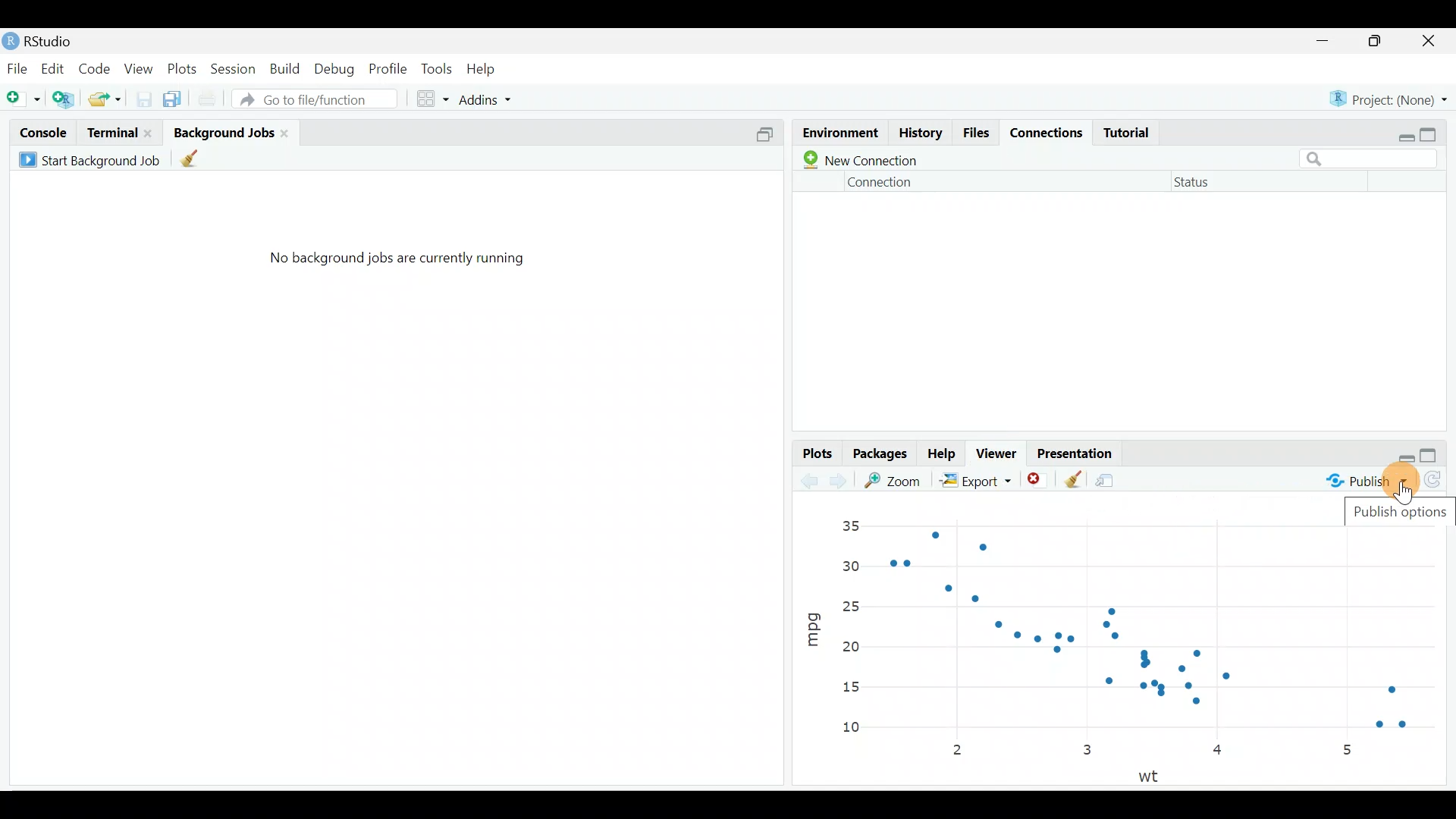 The image size is (1456, 819). I want to click on Connection, so click(882, 182).